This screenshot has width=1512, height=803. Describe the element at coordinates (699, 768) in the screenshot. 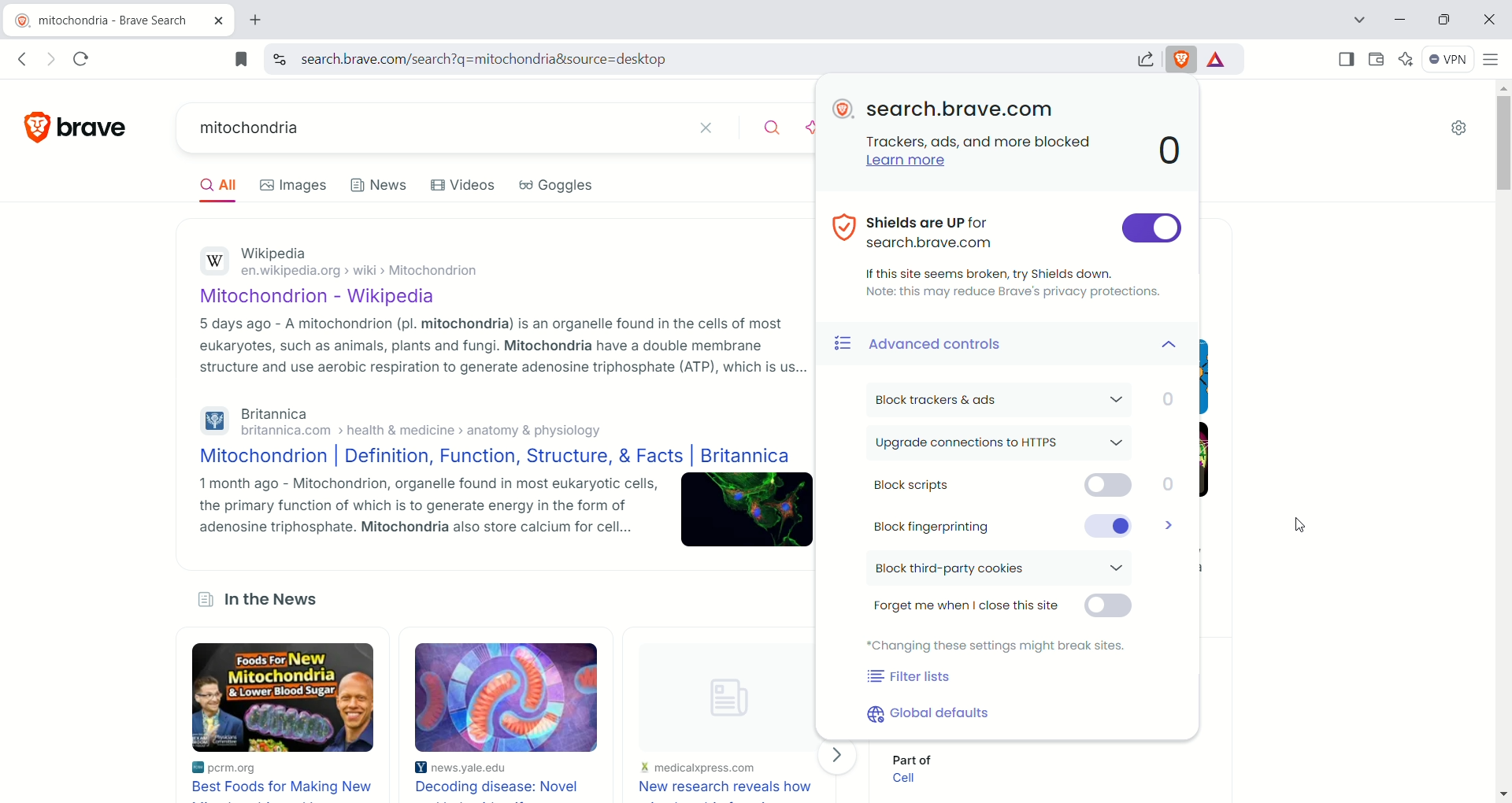

I see `medicalxpress.com` at that location.